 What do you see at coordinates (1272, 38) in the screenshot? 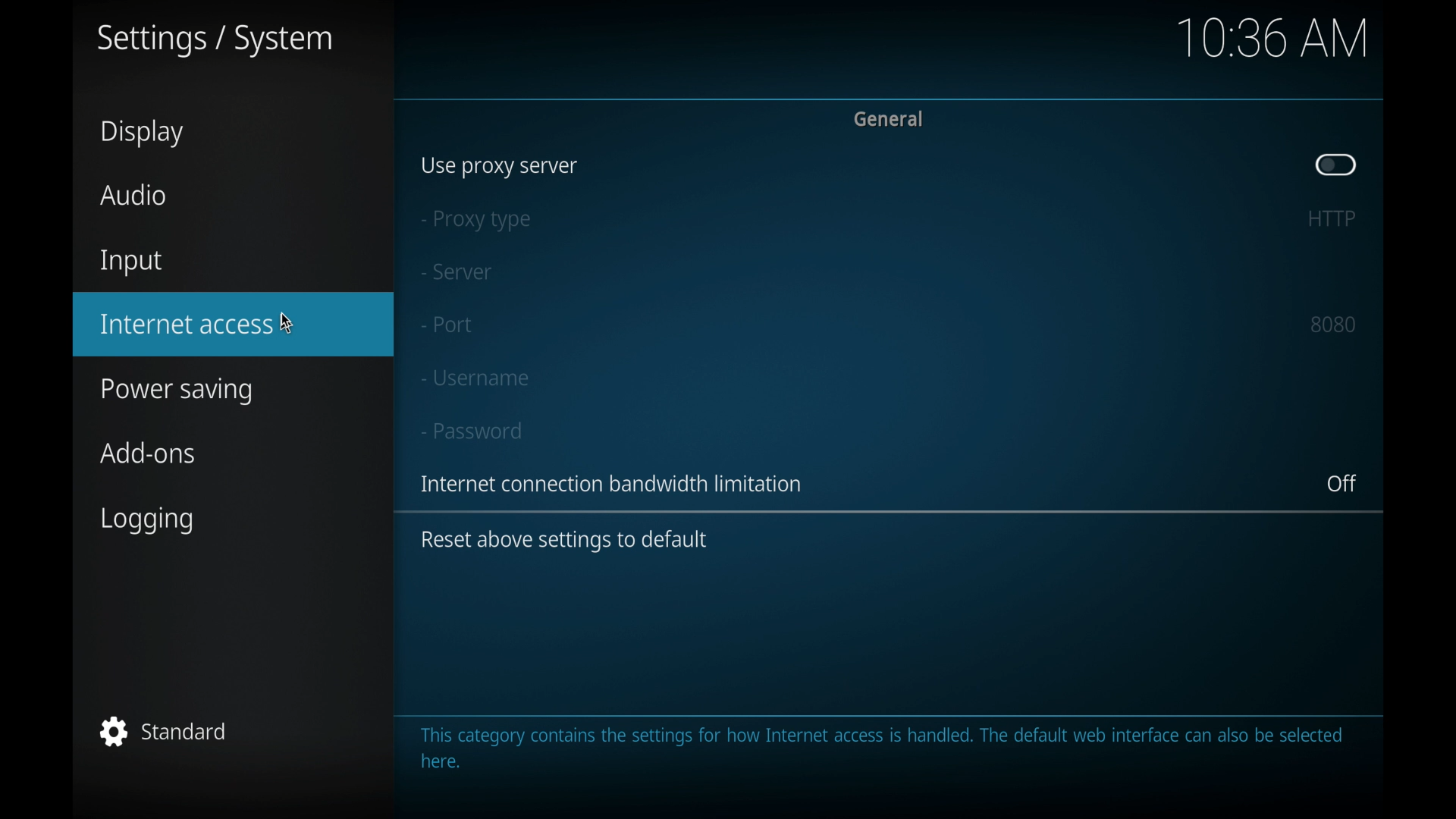
I see `10.36 am` at bounding box center [1272, 38].